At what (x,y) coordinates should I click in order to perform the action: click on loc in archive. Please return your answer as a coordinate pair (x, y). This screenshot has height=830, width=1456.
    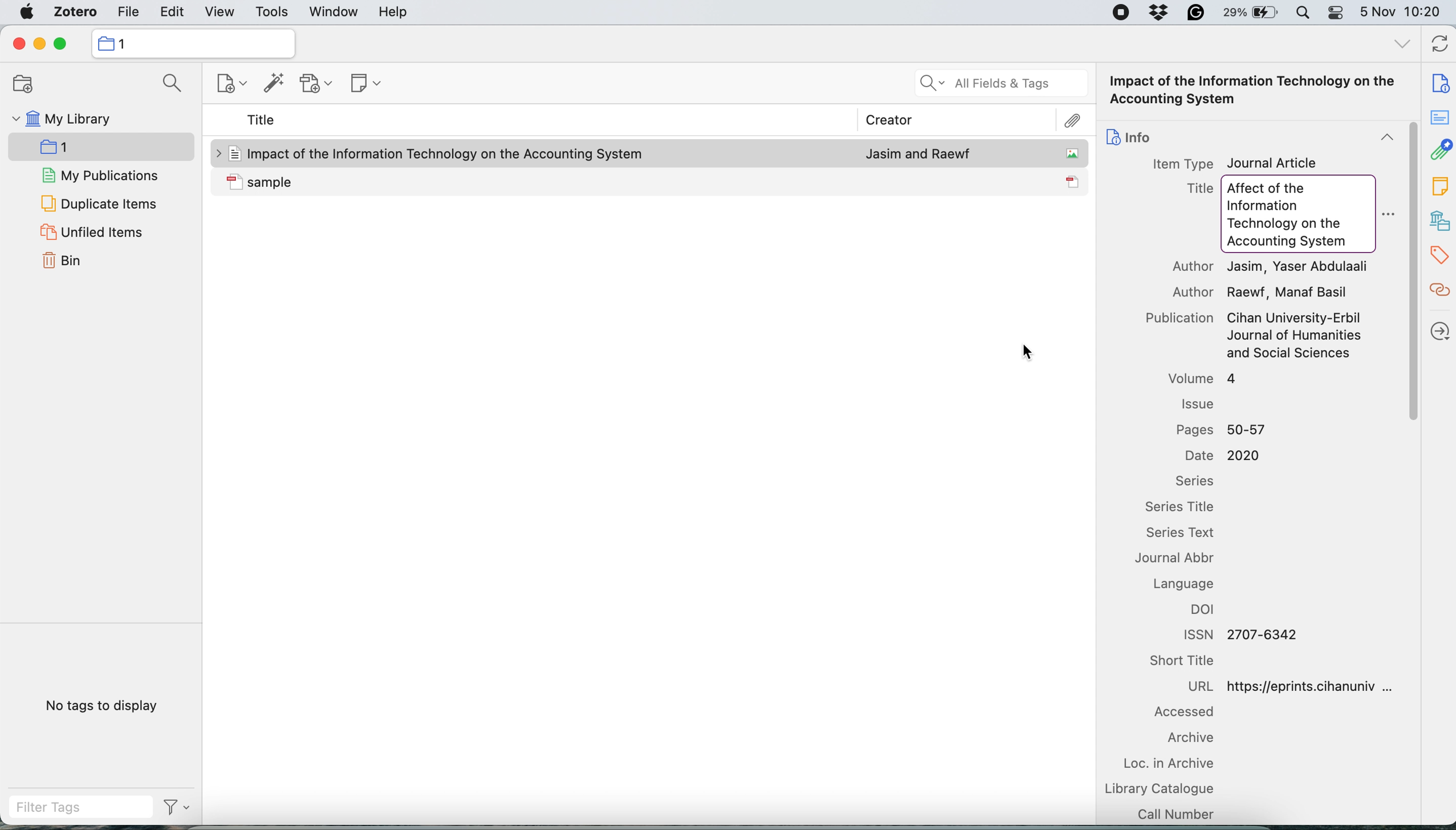
    Looking at the image, I should click on (1175, 762).